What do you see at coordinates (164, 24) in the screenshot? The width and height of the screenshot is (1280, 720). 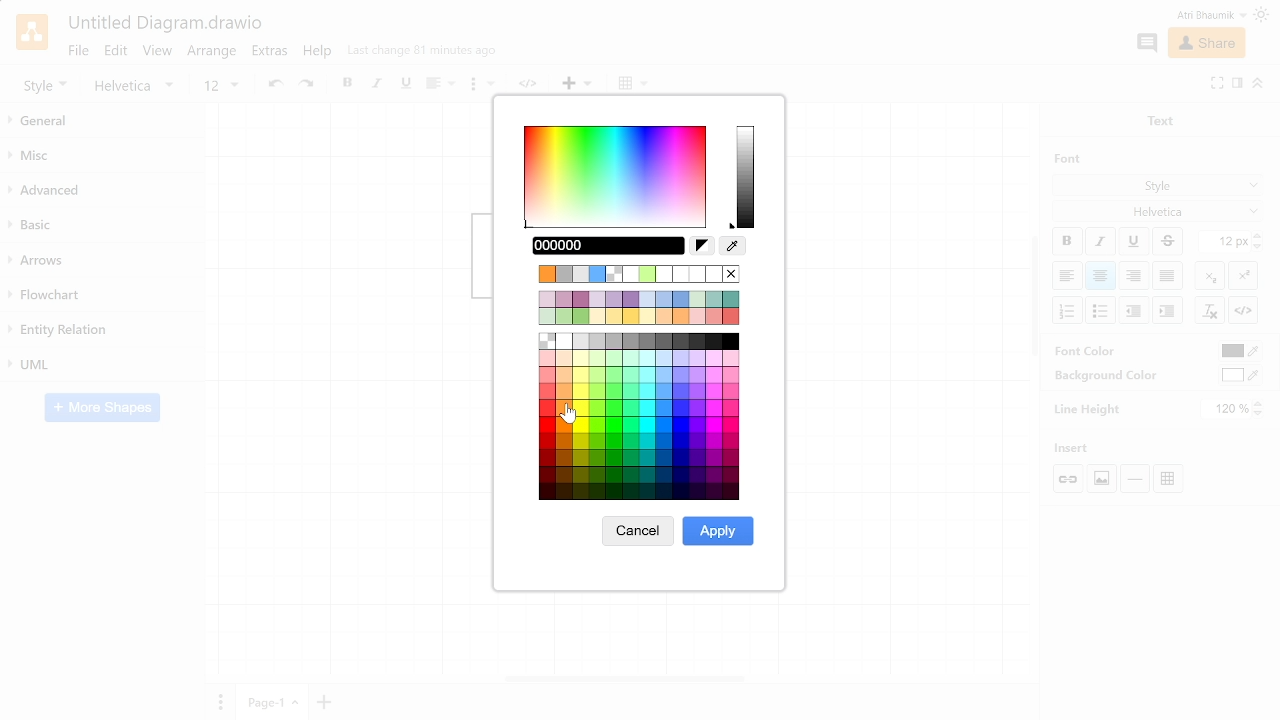 I see `Current window` at bounding box center [164, 24].